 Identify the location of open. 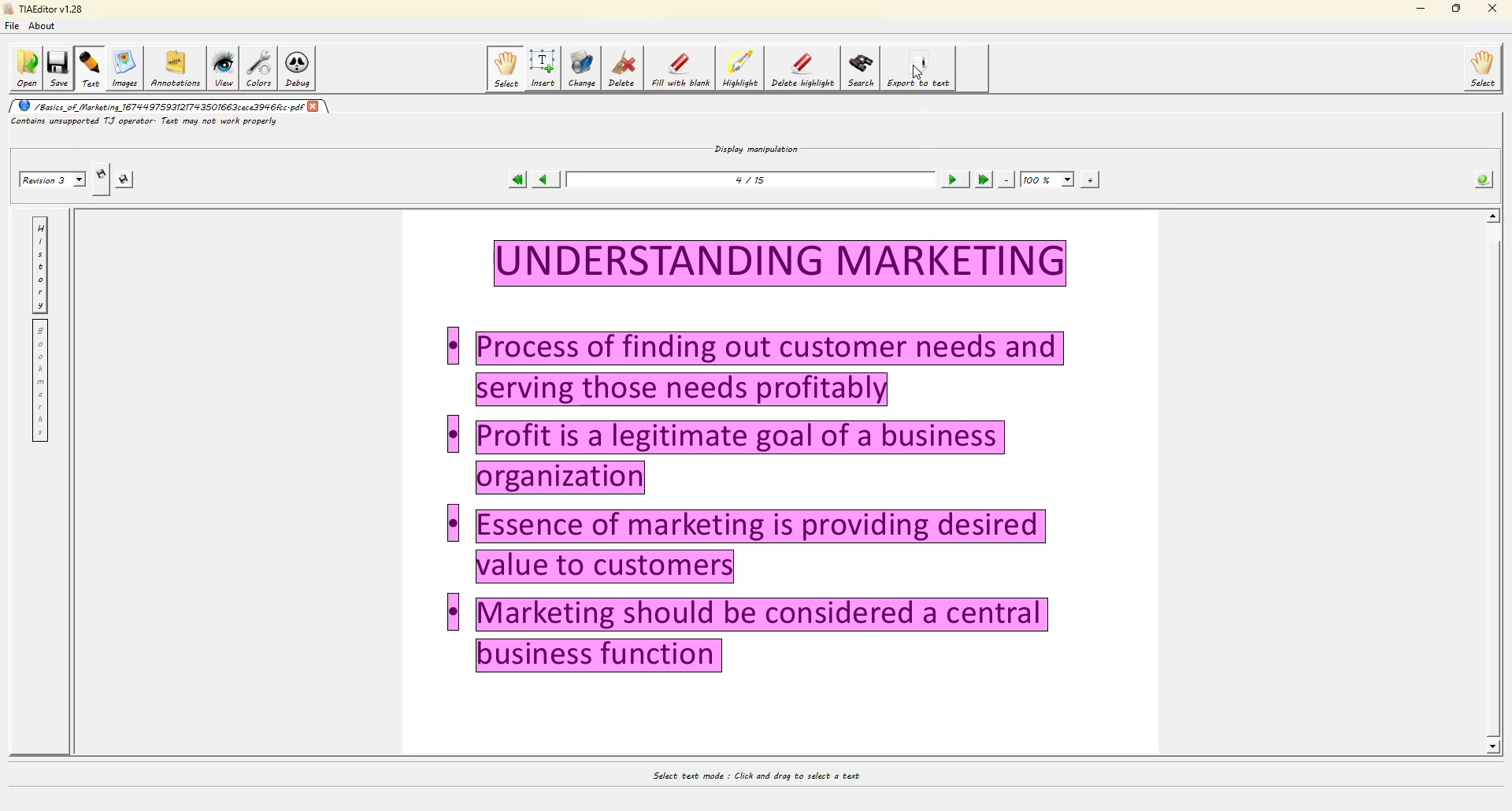
(28, 69).